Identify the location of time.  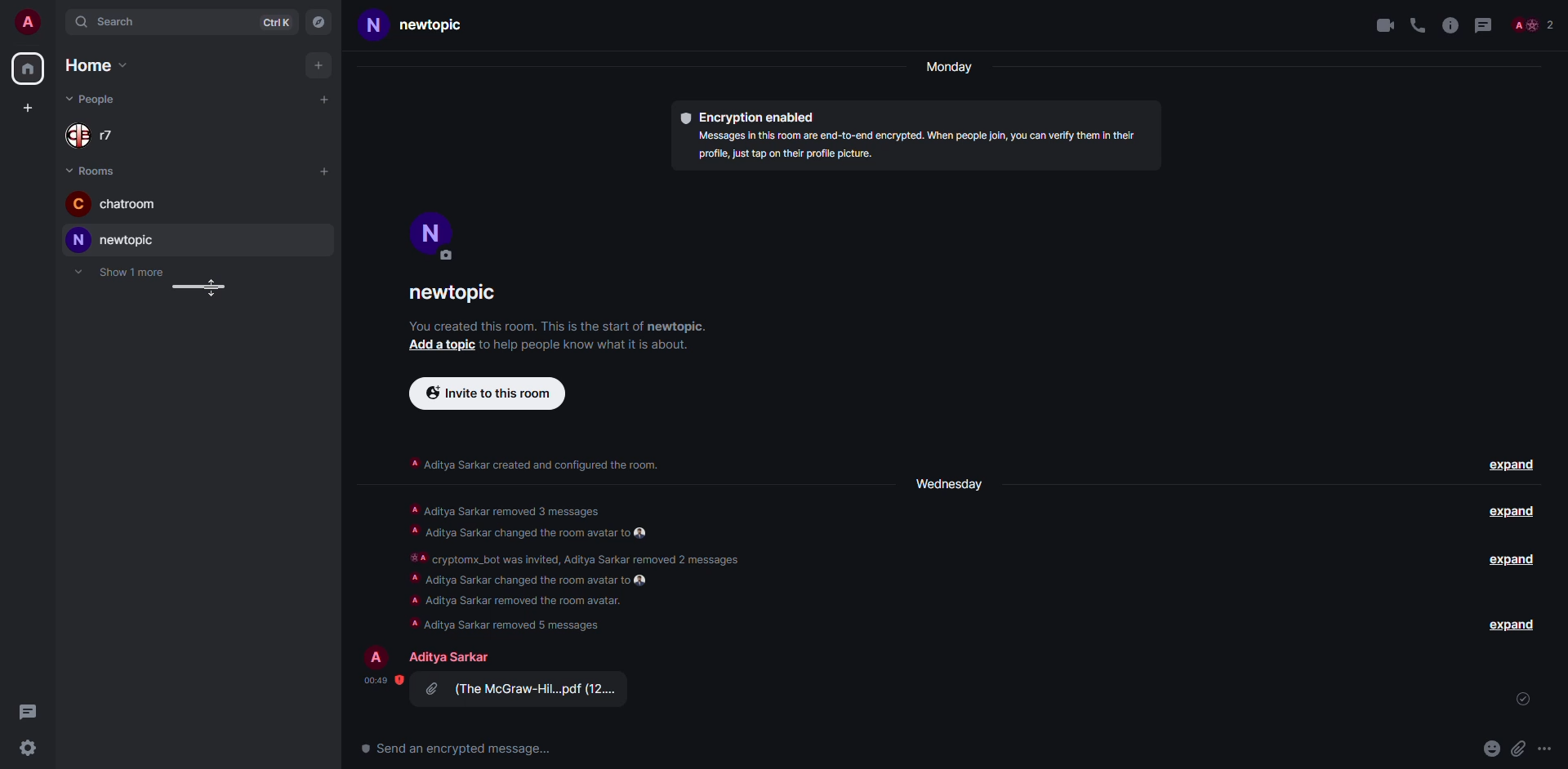
(377, 681).